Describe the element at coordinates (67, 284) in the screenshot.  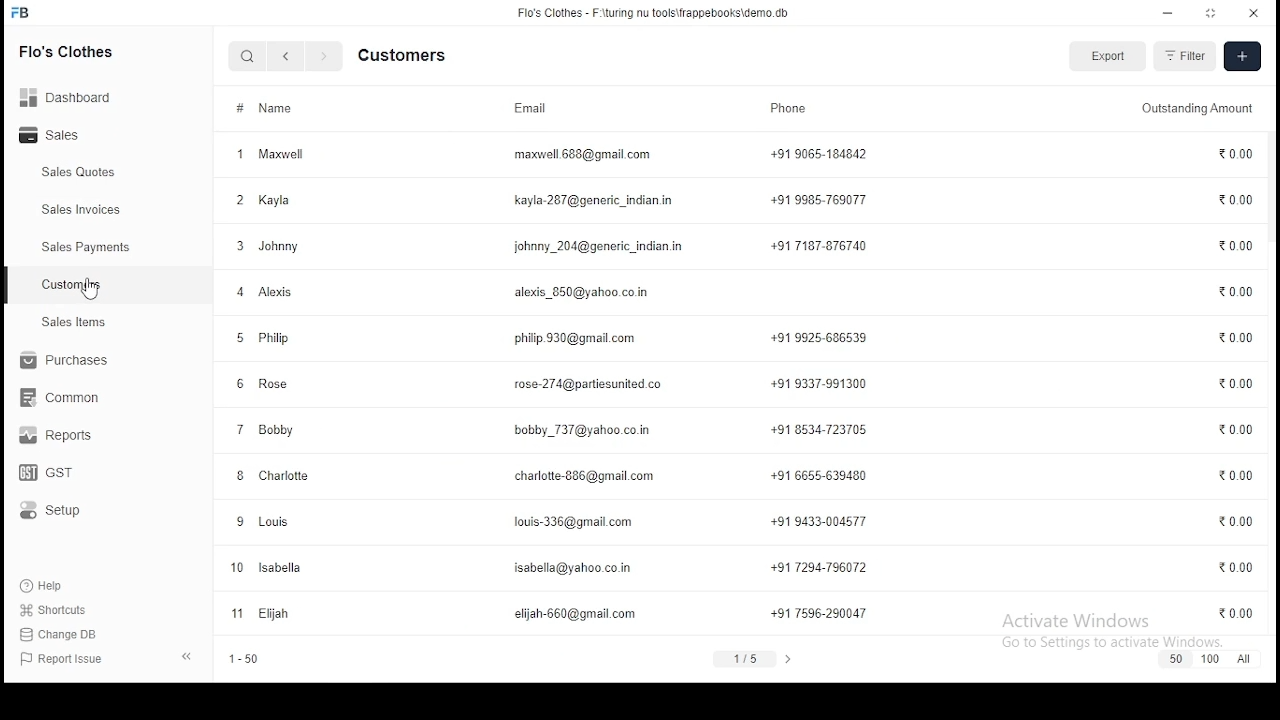
I see `Customers` at that location.